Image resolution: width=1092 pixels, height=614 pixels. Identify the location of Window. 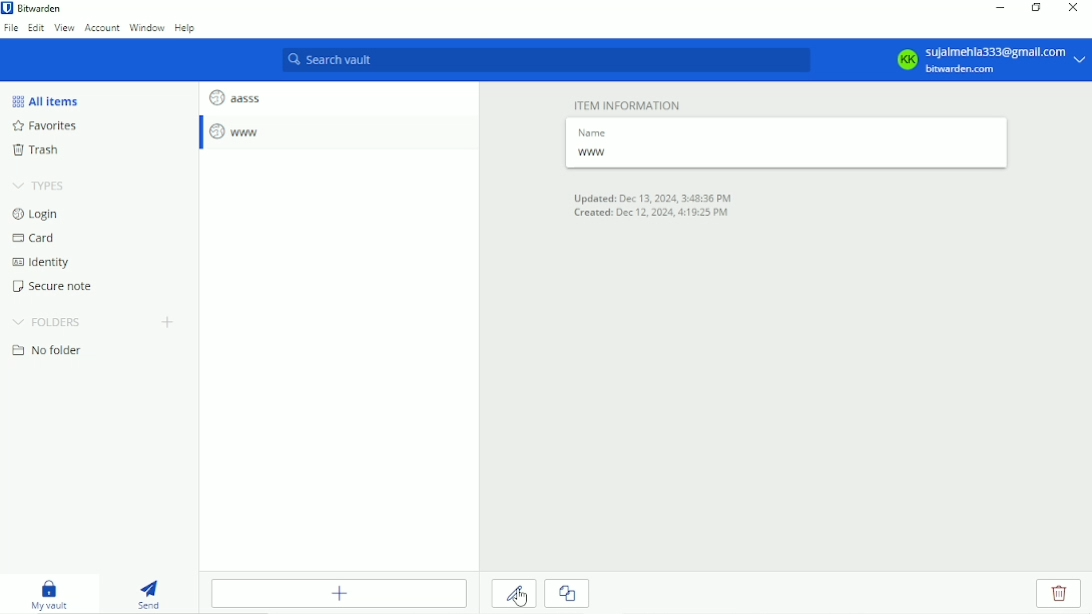
(148, 28).